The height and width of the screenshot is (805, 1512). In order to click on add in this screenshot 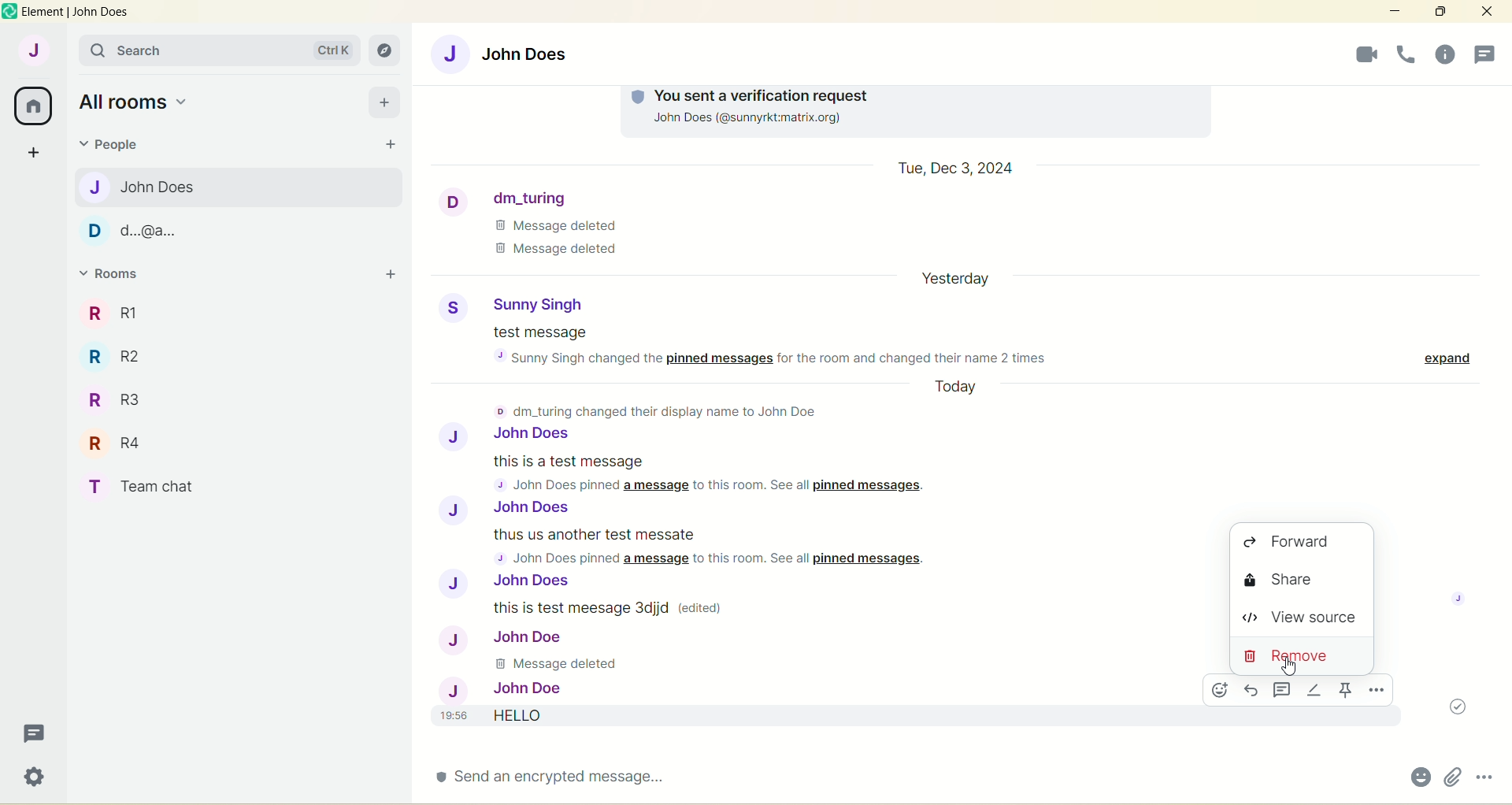, I will do `click(384, 102)`.